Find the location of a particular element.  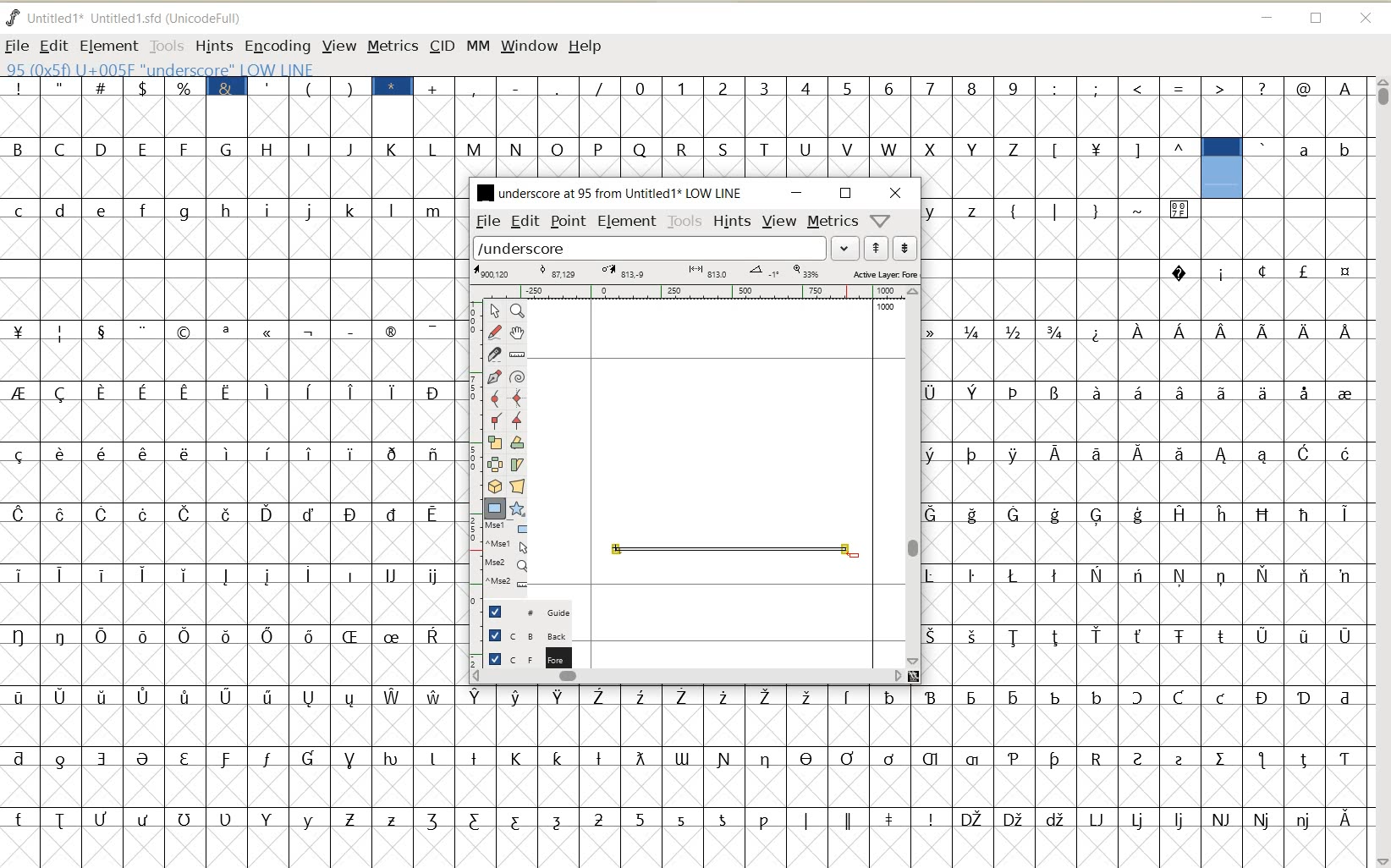

SCROLLBAR is located at coordinates (914, 477).